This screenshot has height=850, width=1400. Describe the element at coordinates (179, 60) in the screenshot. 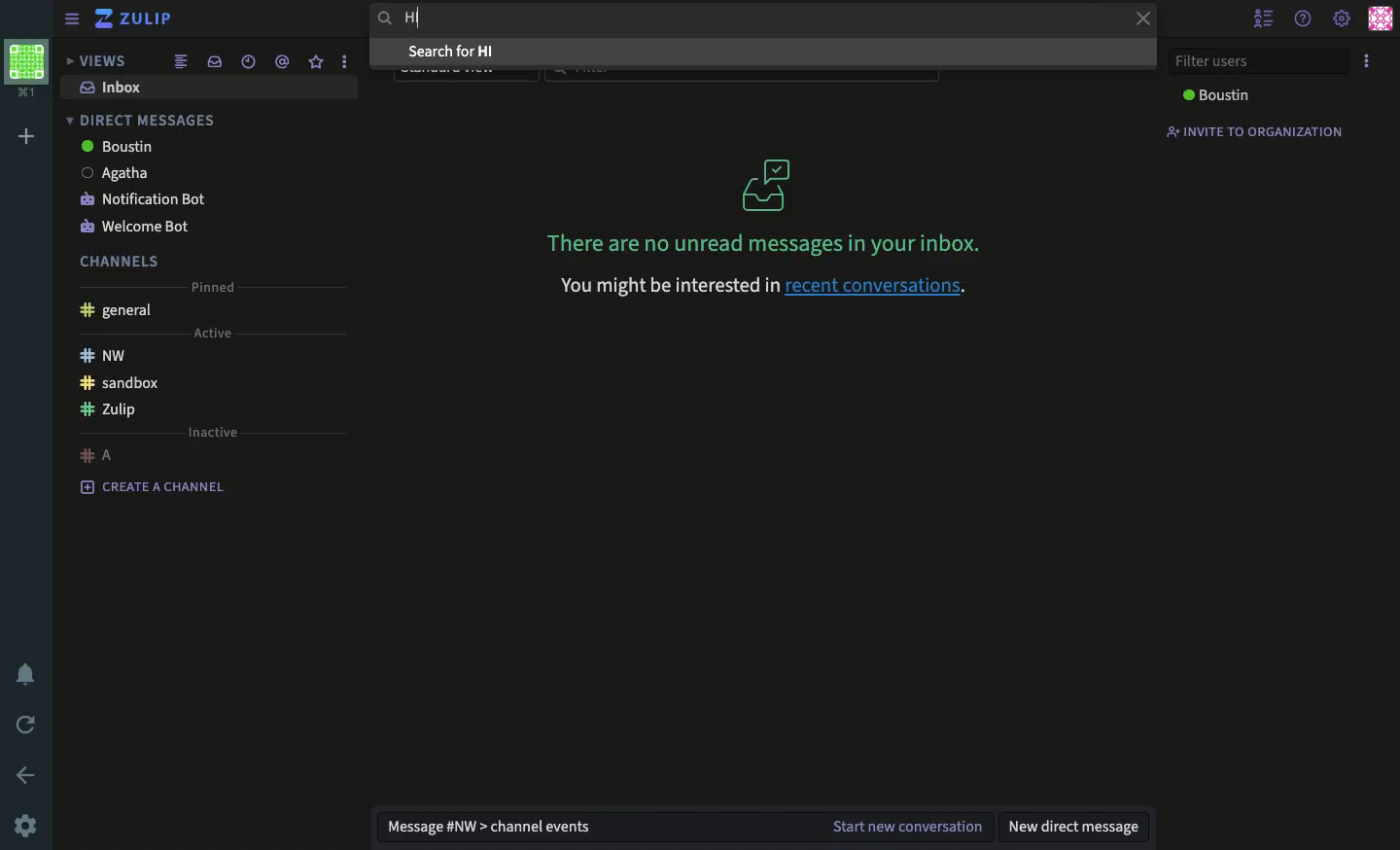

I see `combined feed` at that location.